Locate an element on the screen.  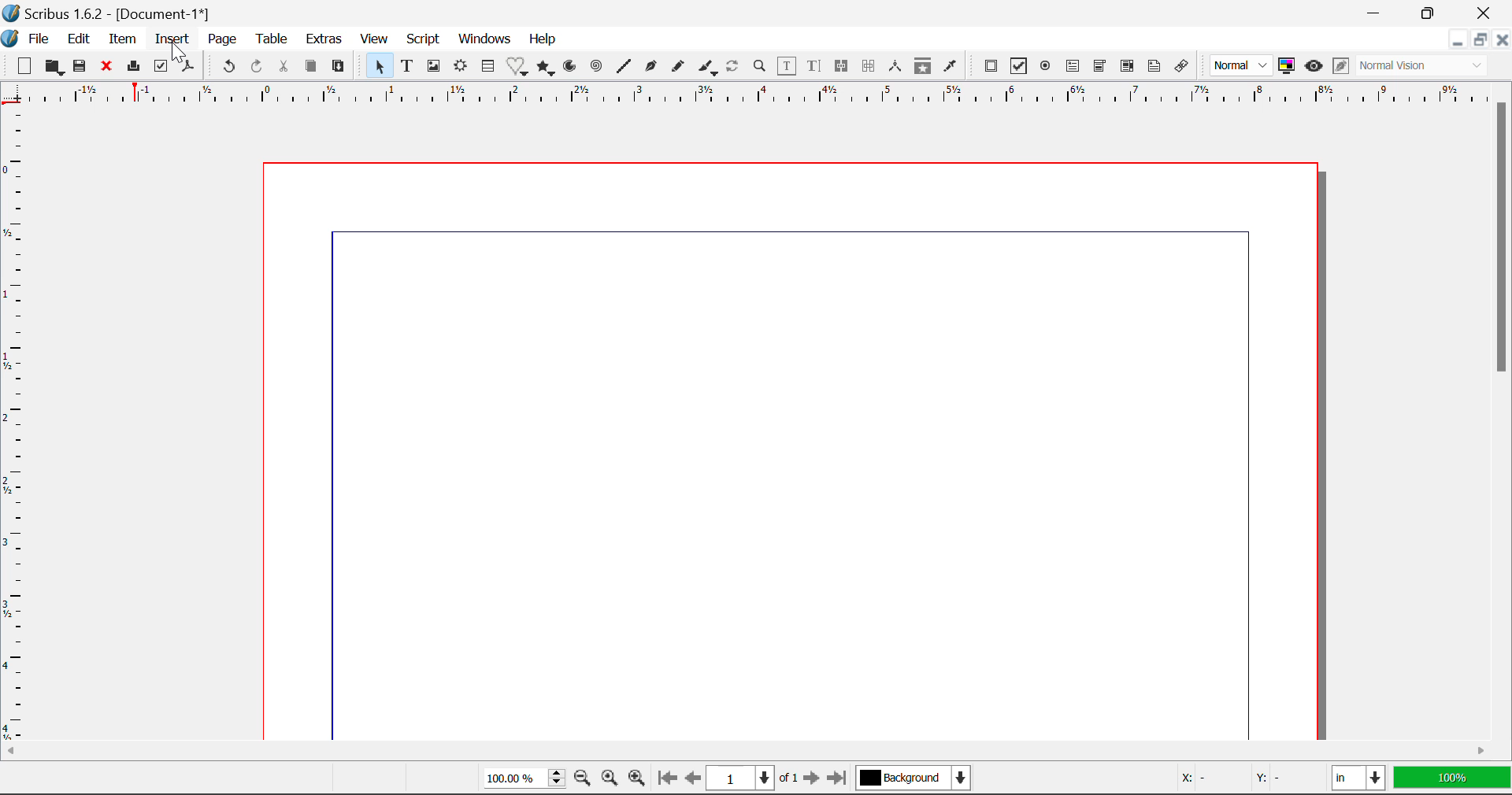
Link Annotation is located at coordinates (1182, 67).